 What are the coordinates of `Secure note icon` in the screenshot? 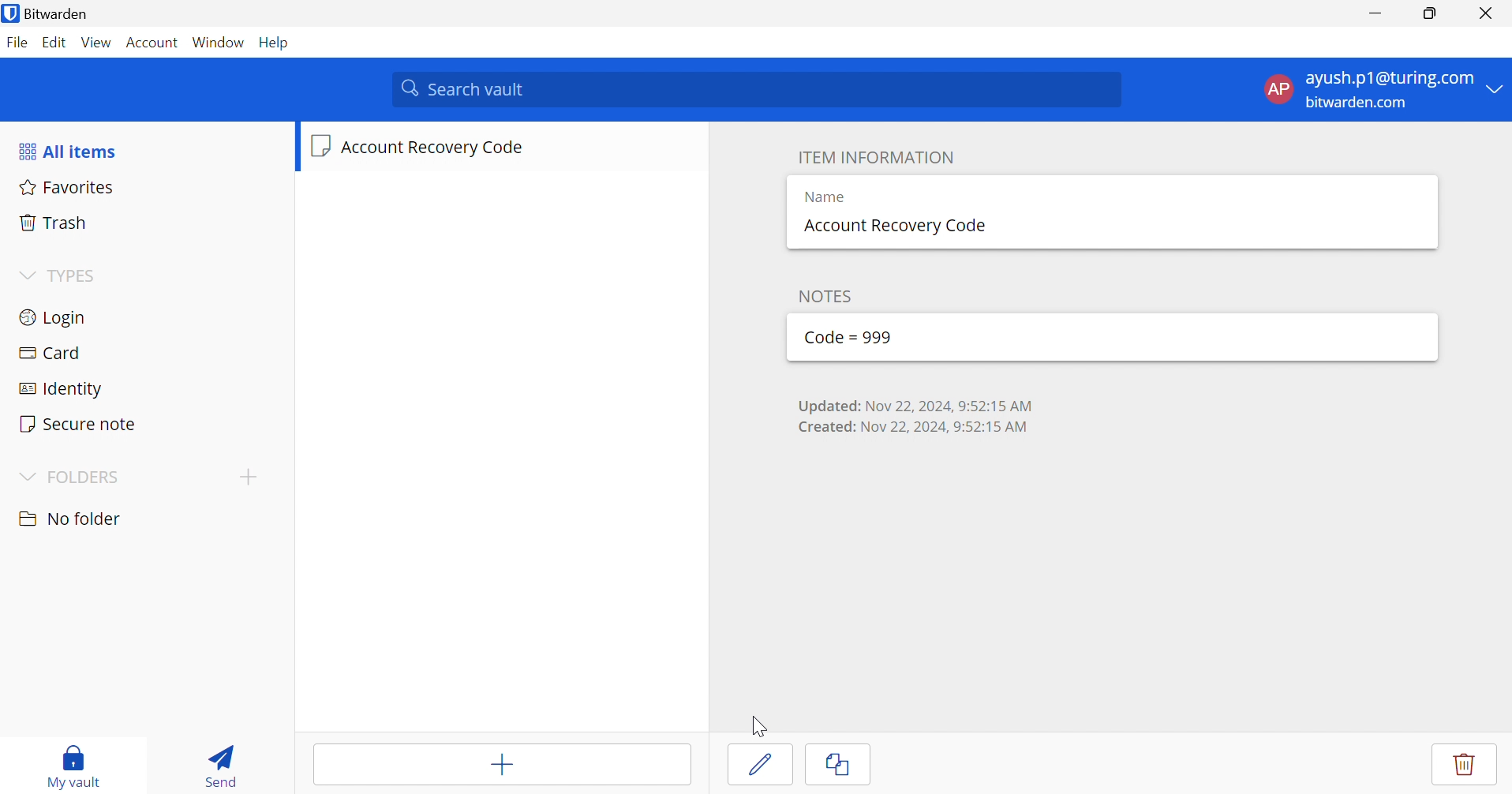 It's located at (320, 144).